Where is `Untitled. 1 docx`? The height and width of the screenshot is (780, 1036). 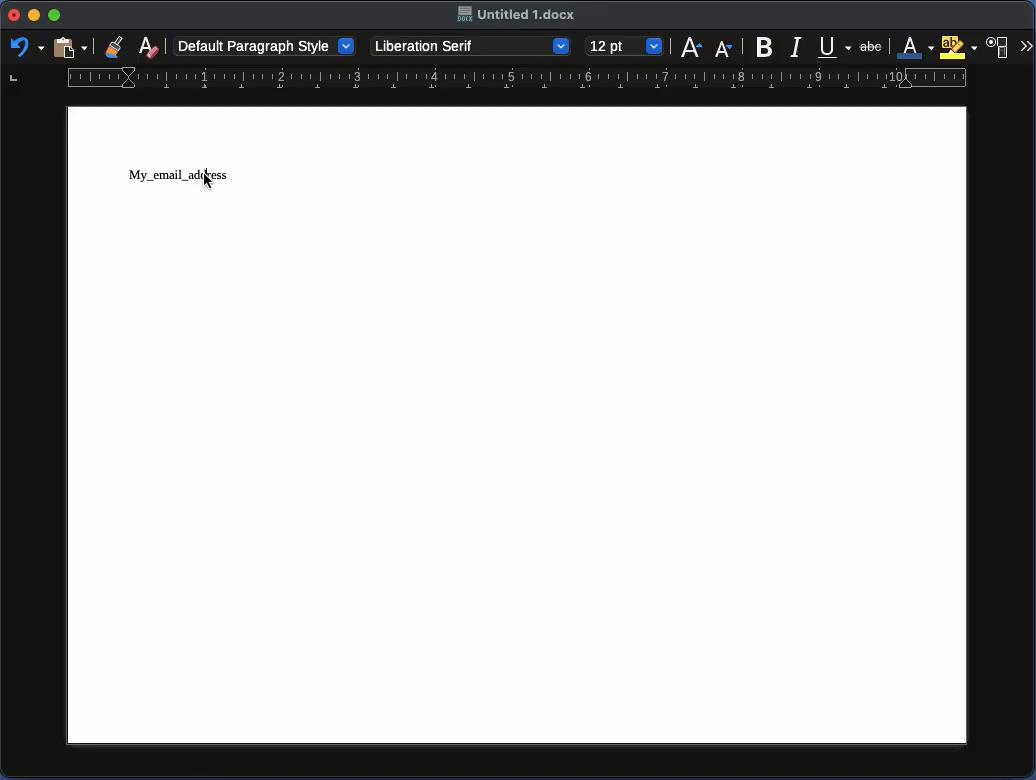
Untitled. 1 docx is located at coordinates (518, 15).